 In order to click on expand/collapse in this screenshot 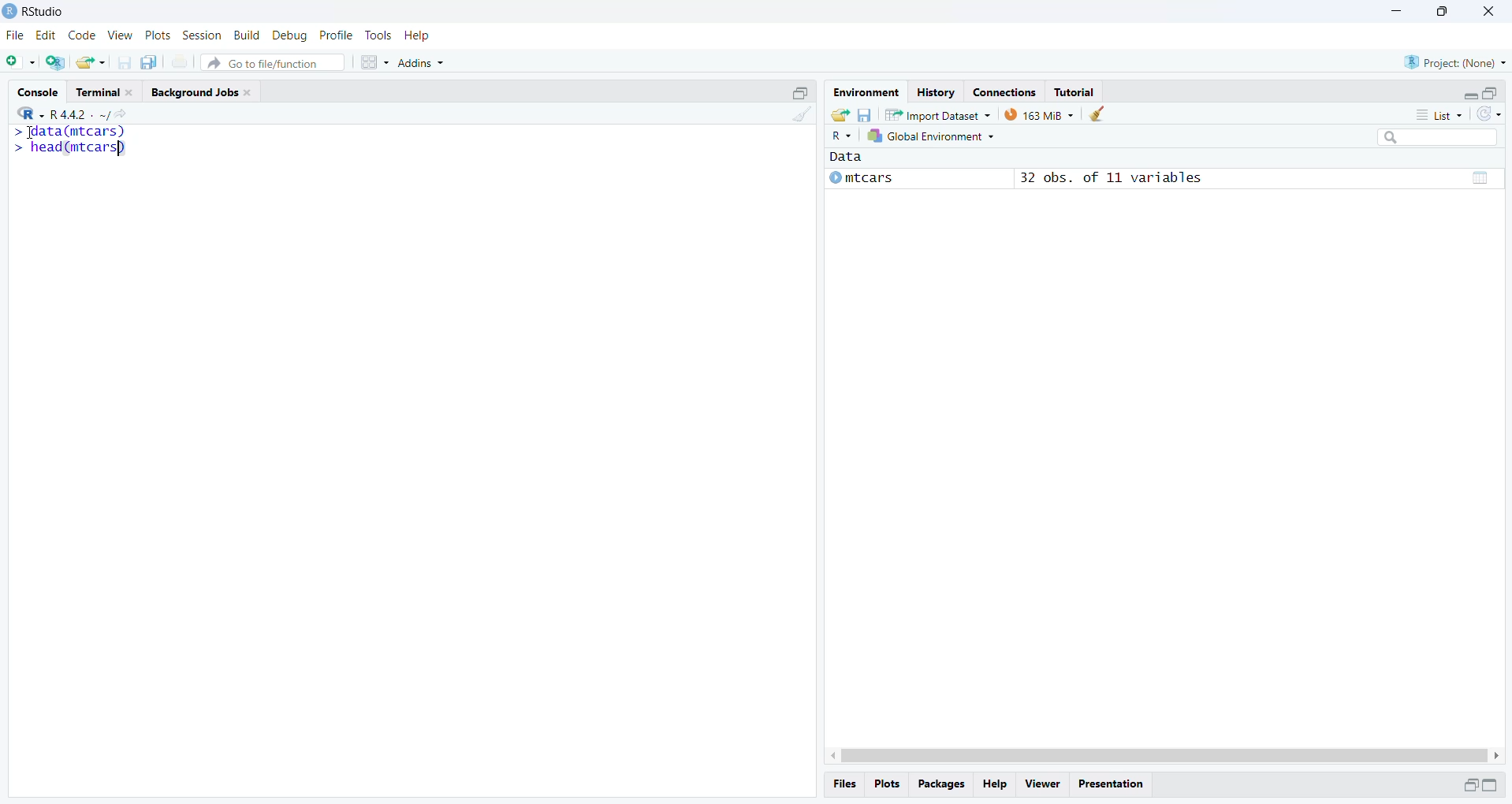, I will do `click(1468, 95)`.